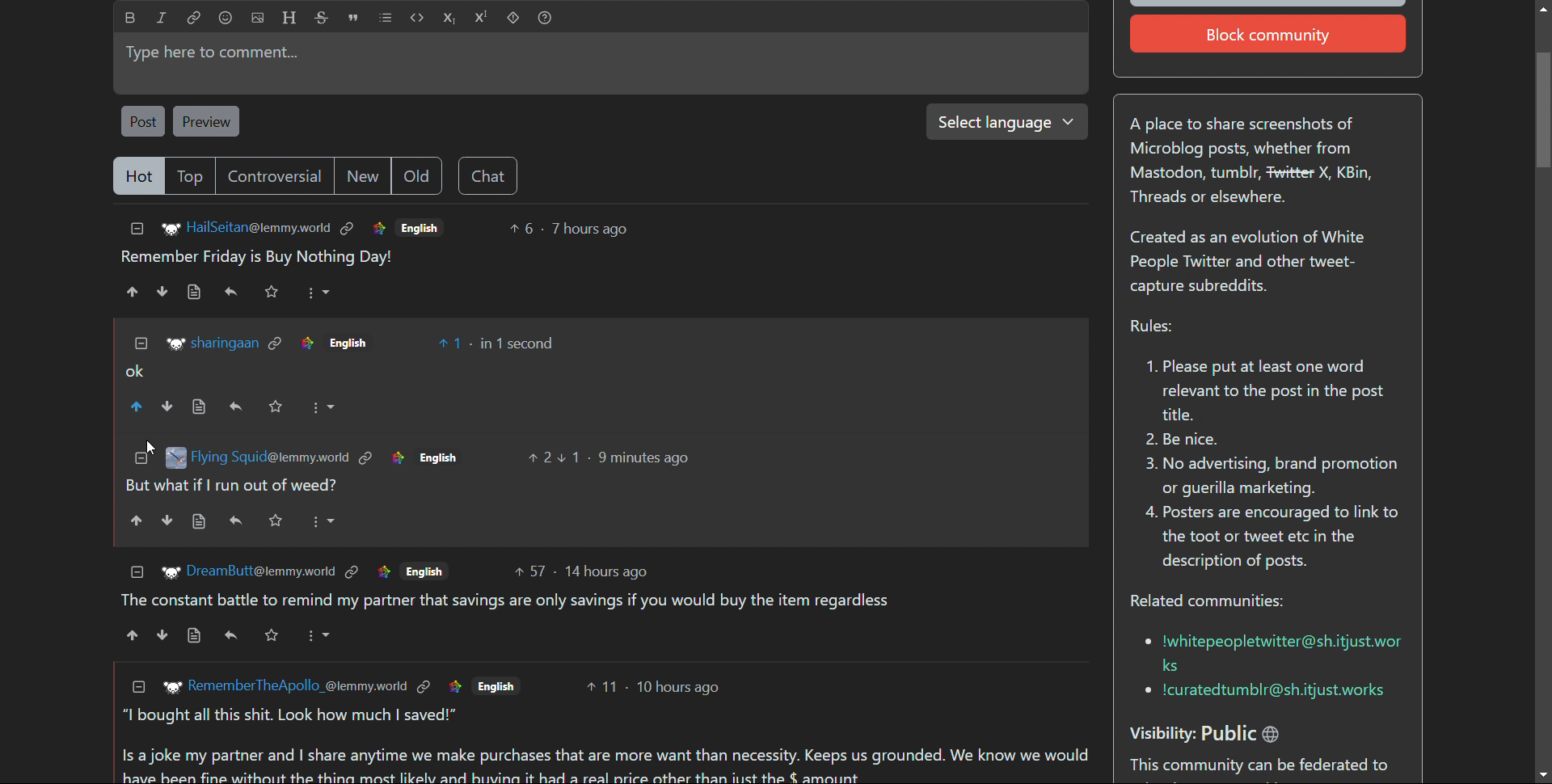 The width and height of the screenshot is (1552, 784). Describe the element at coordinates (593, 601) in the screenshot. I see `comment` at that location.